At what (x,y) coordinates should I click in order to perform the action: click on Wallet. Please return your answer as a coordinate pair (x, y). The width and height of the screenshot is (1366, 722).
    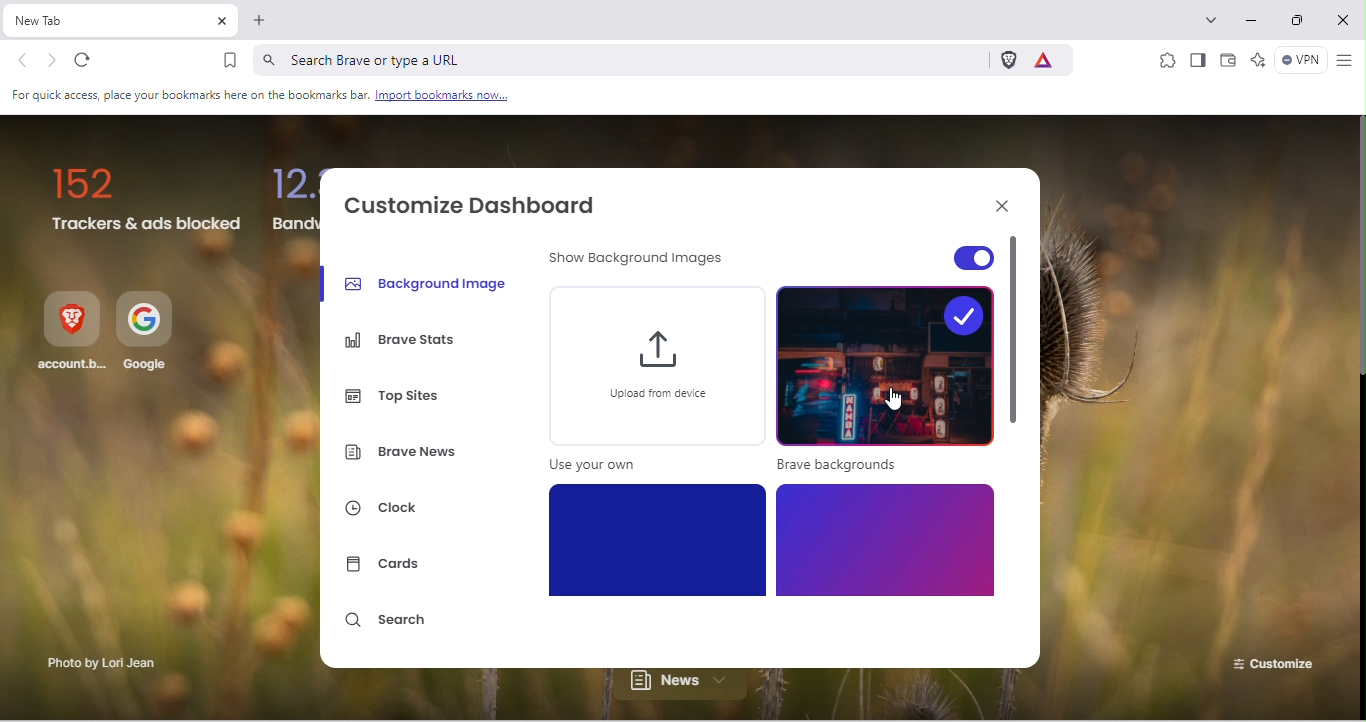
    Looking at the image, I should click on (1229, 63).